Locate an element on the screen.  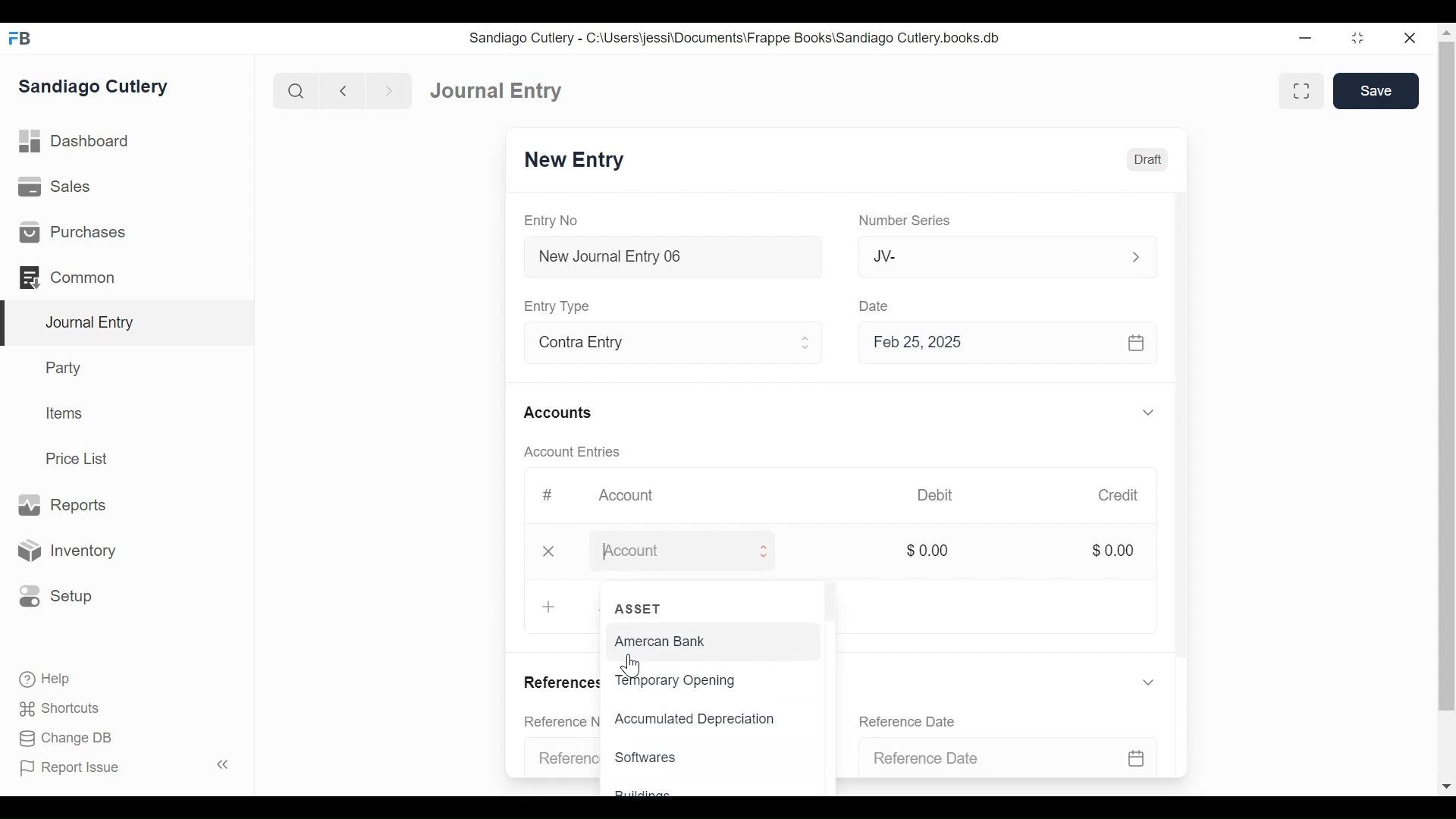
Save is located at coordinates (1379, 90).